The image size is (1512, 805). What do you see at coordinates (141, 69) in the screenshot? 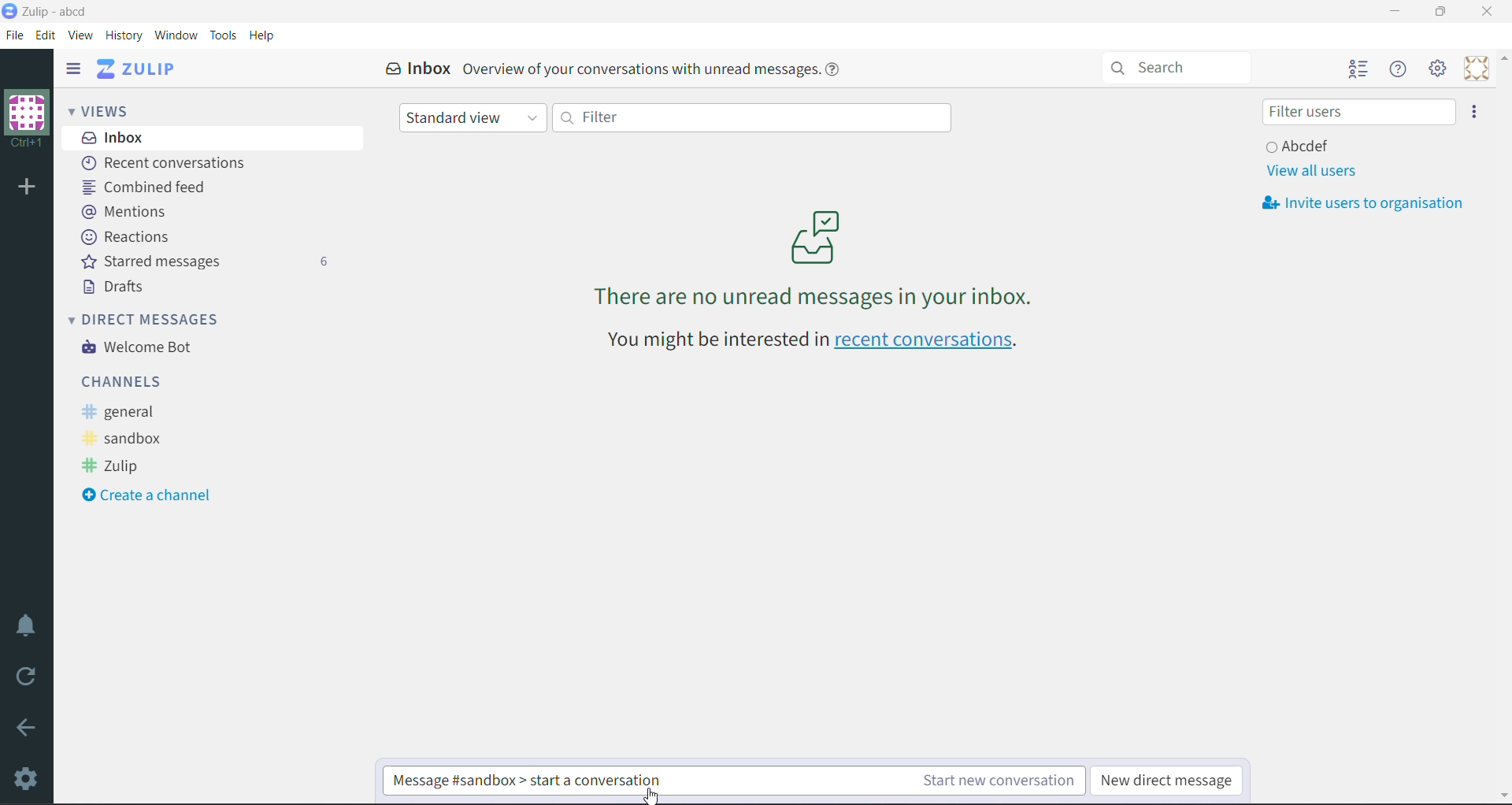
I see `Application` at bounding box center [141, 69].